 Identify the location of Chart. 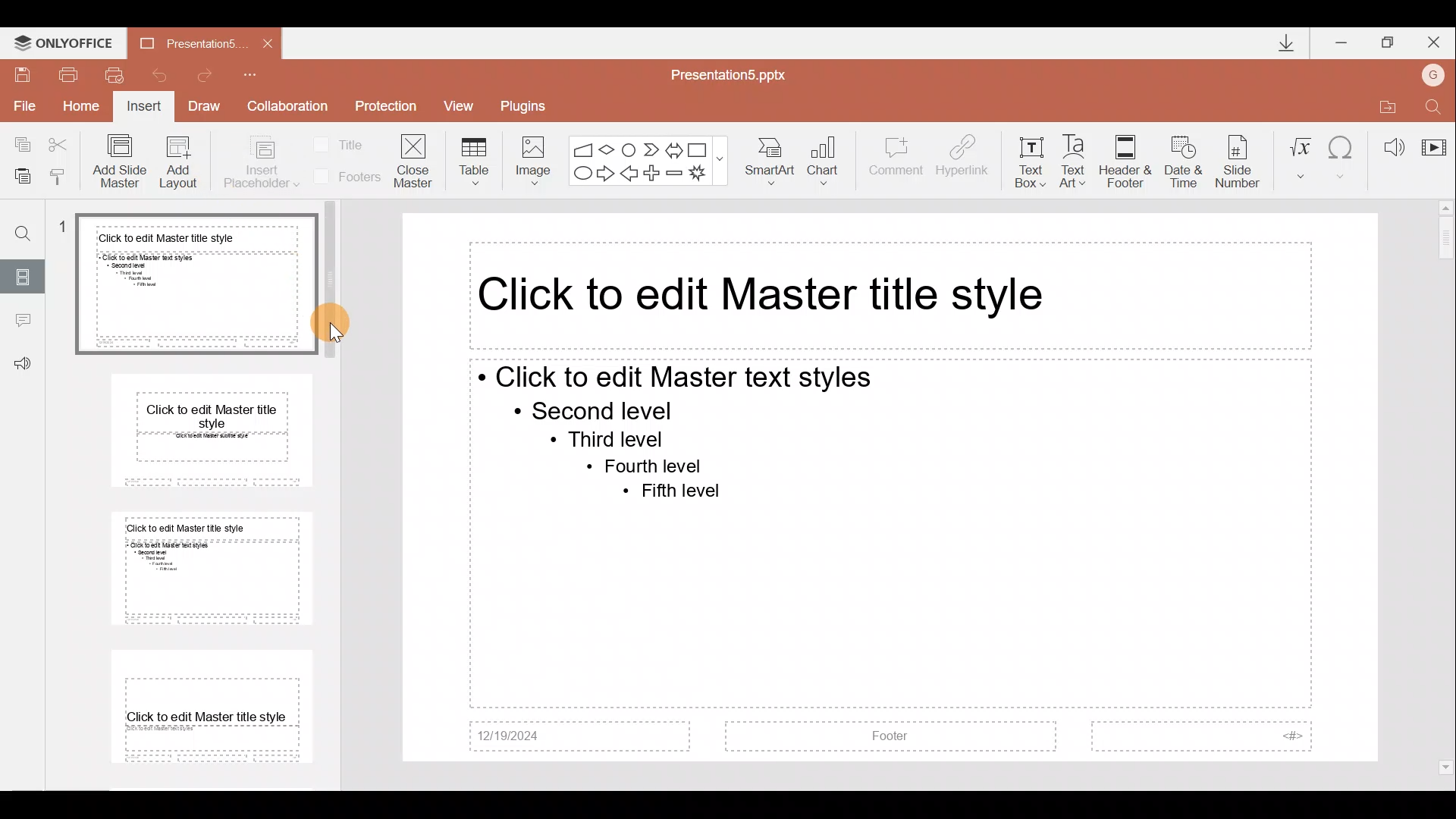
(833, 162).